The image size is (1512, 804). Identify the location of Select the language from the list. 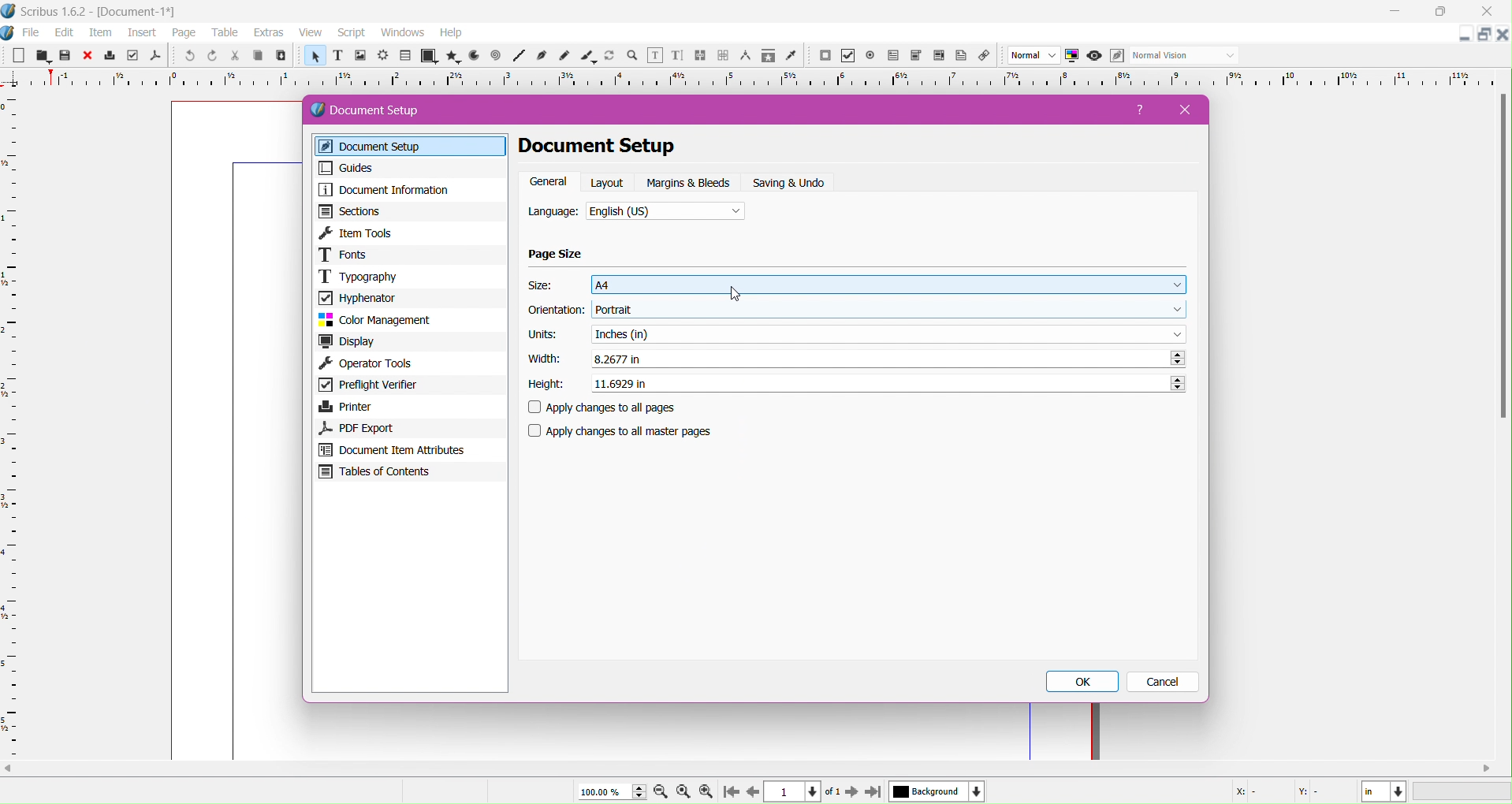
(666, 213).